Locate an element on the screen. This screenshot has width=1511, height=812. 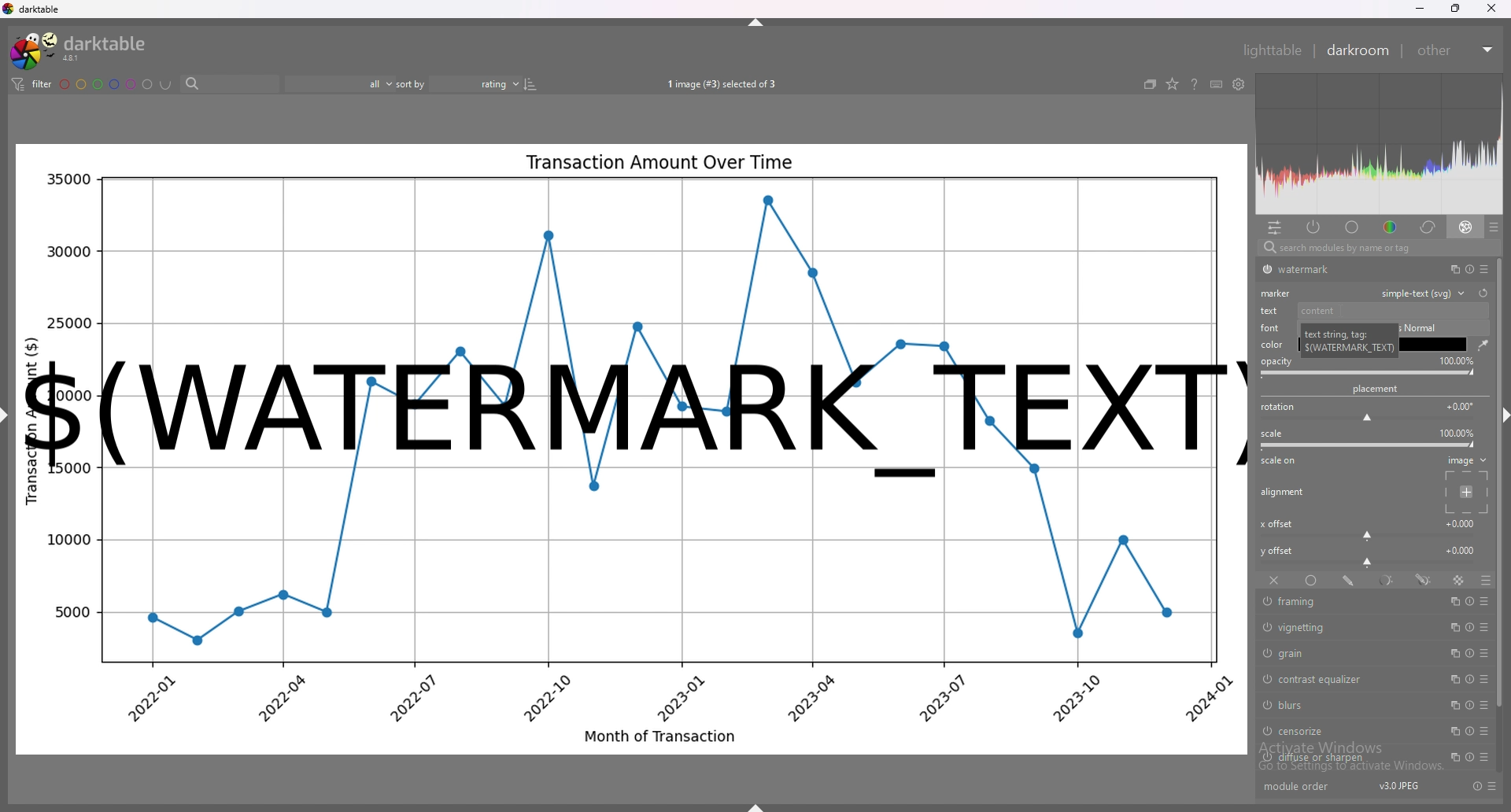
reset is located at coordinates (1468, 269).